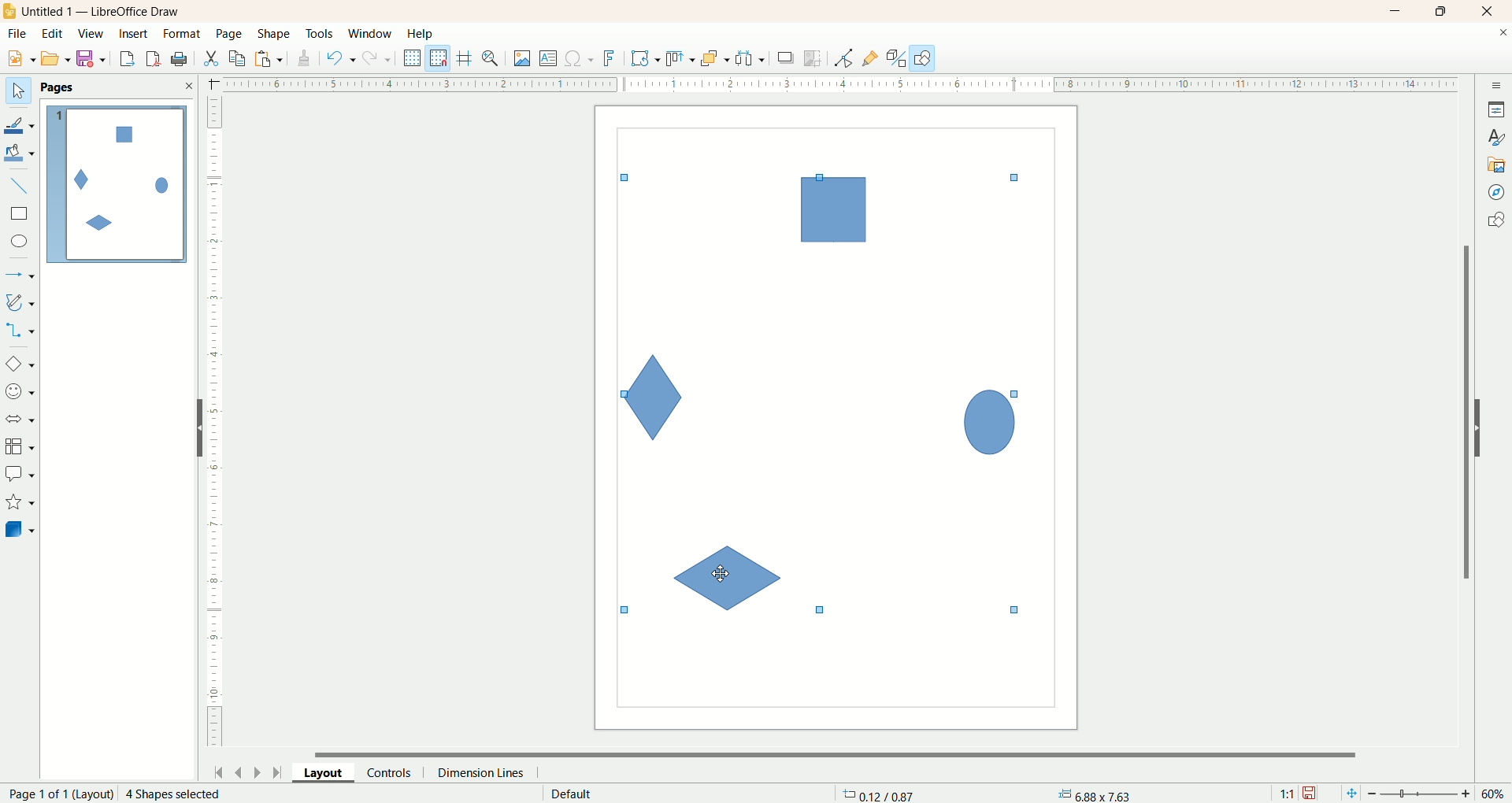  Describe the element at coordinates (18, 59) in the screenshot. I see `new` at that location.